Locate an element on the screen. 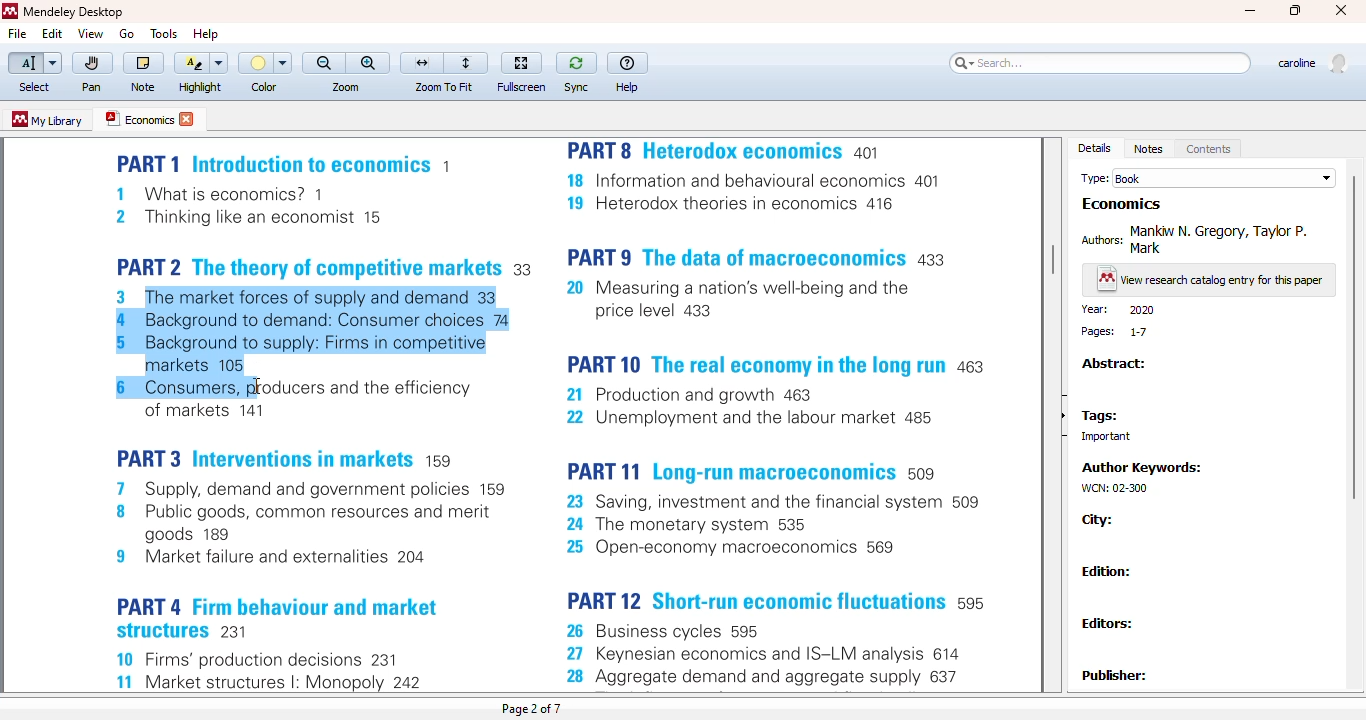 The width and height of the screenshot is (1366, 720). profile is located at coordinates (1311, 64).